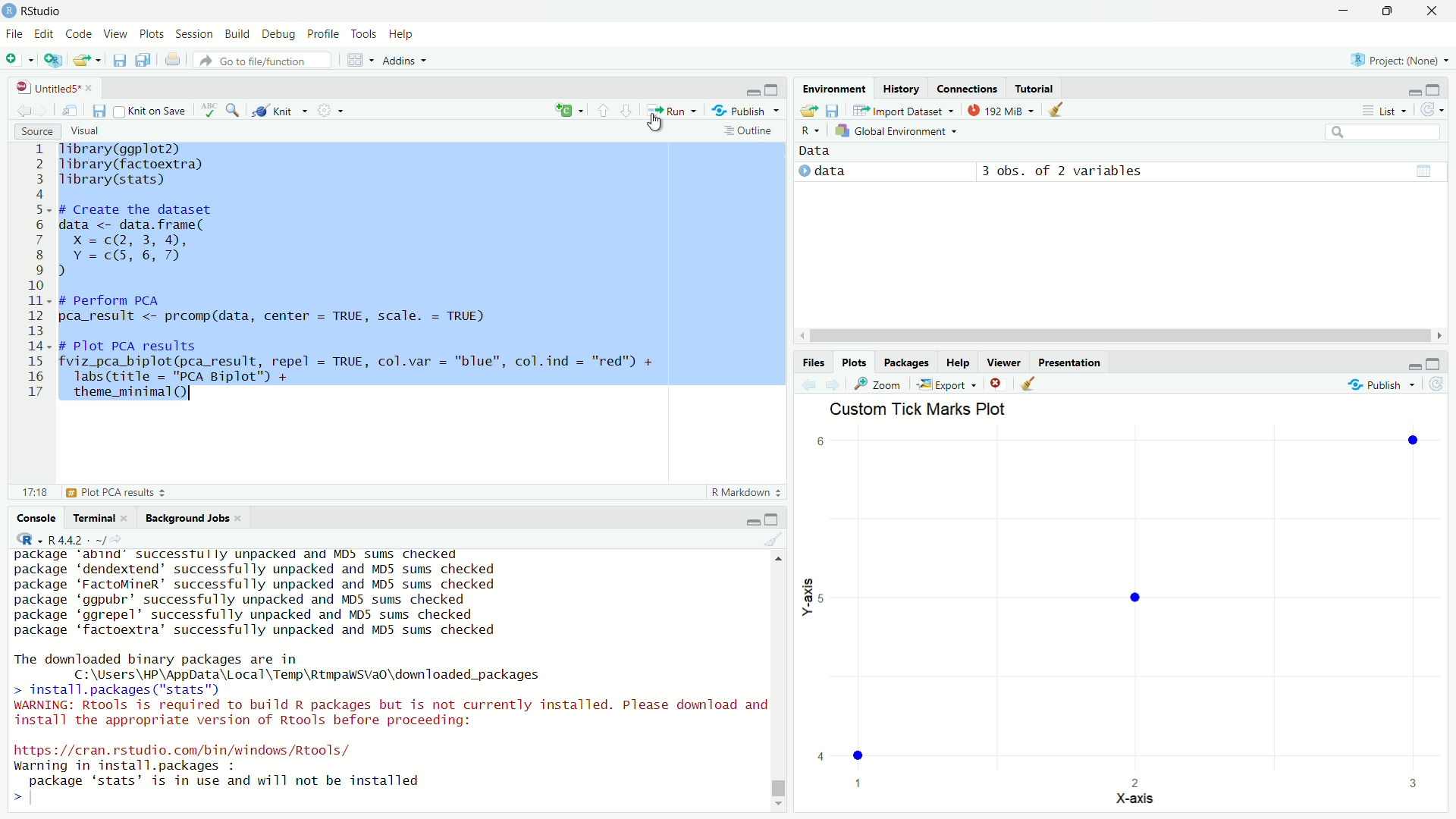  What do you see at coordinates (1125, 607) in the screenshot?
I see `custom tick marks plot` at bounding box center [1125, 607].